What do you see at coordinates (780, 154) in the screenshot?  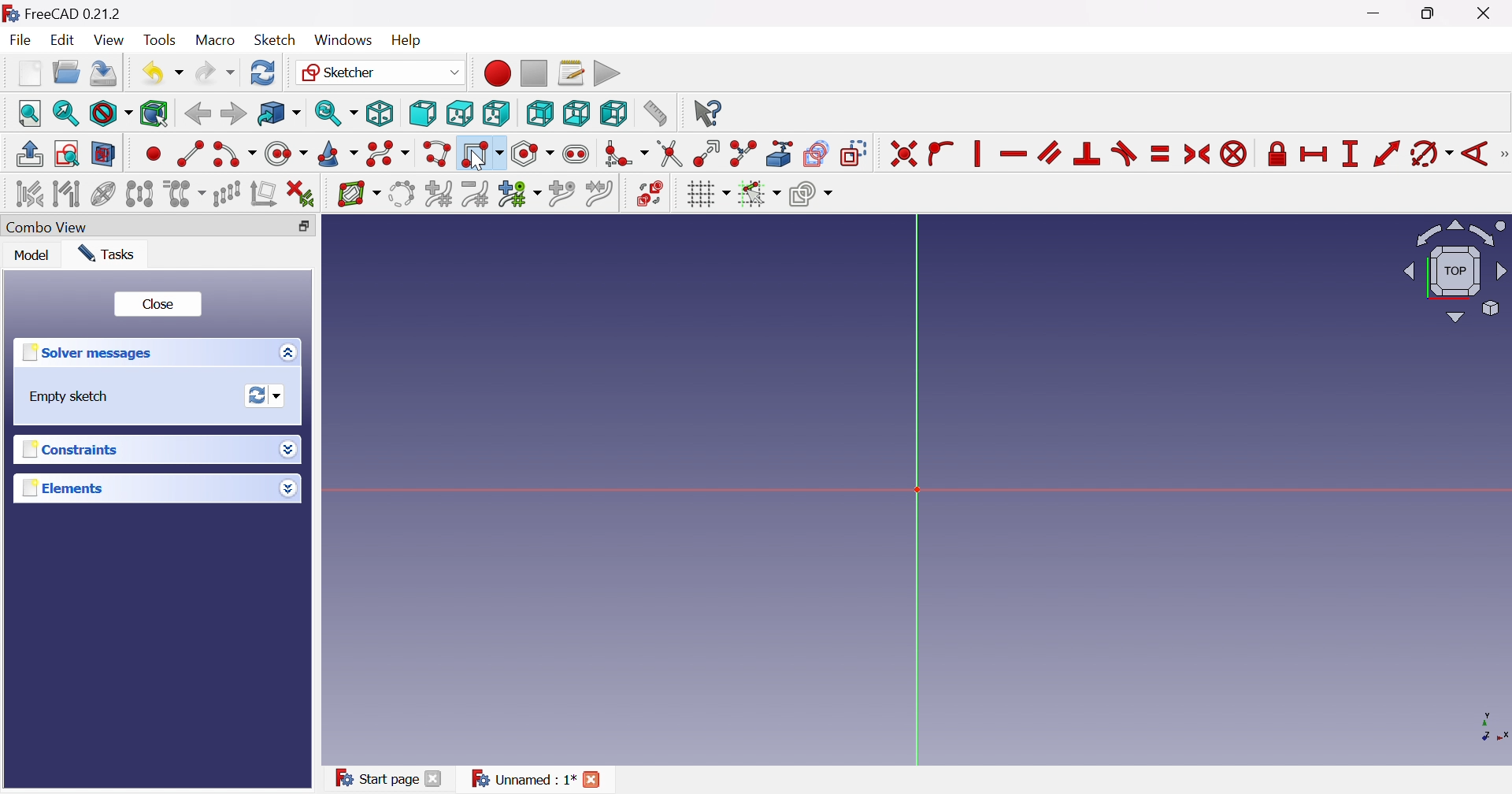 I see `Create external geometry` at bounding box center [780, 154].